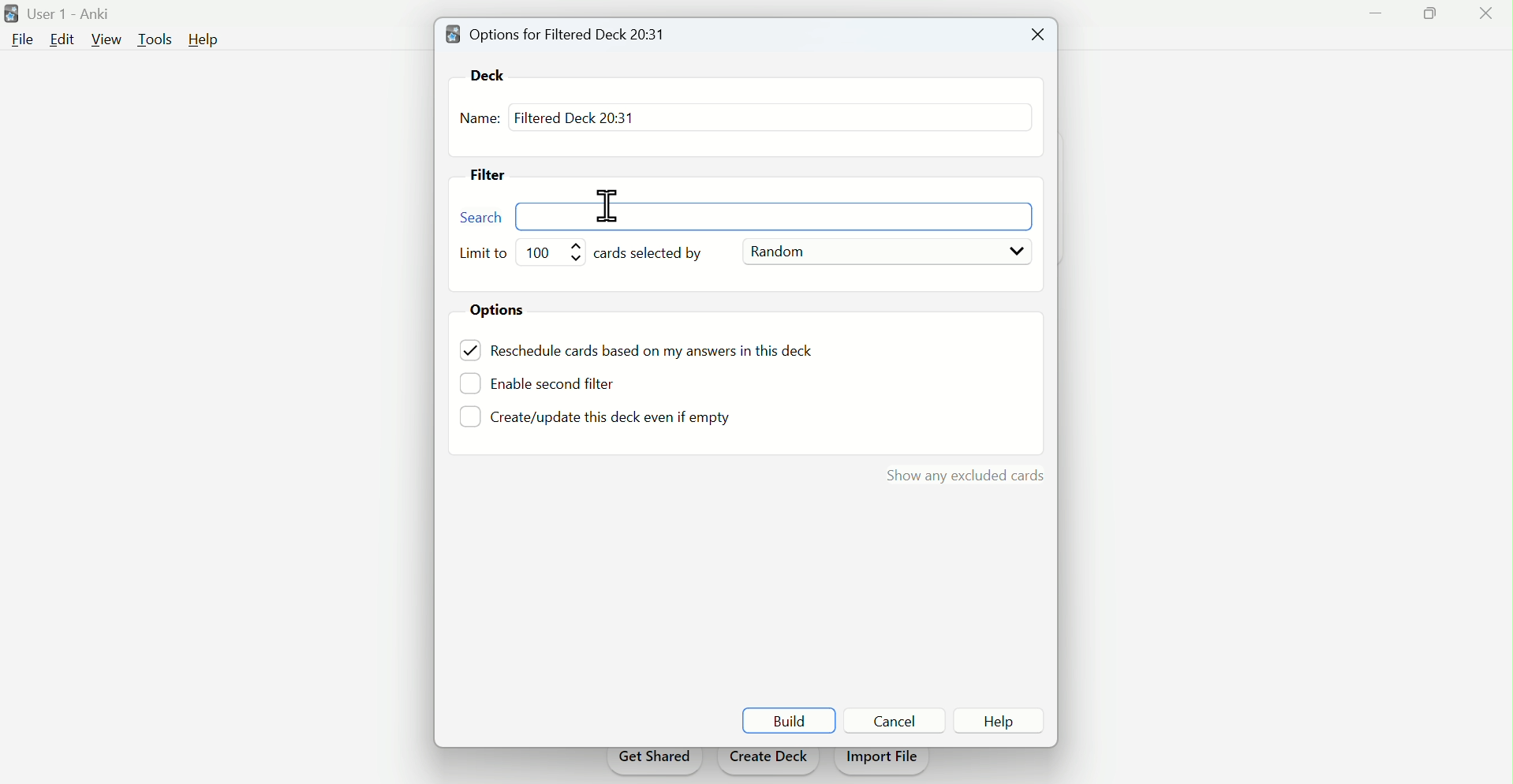 The image size is (1513, 784). Describe the element at coordinates (895, 720) in the screenshot. I see `` at that location.